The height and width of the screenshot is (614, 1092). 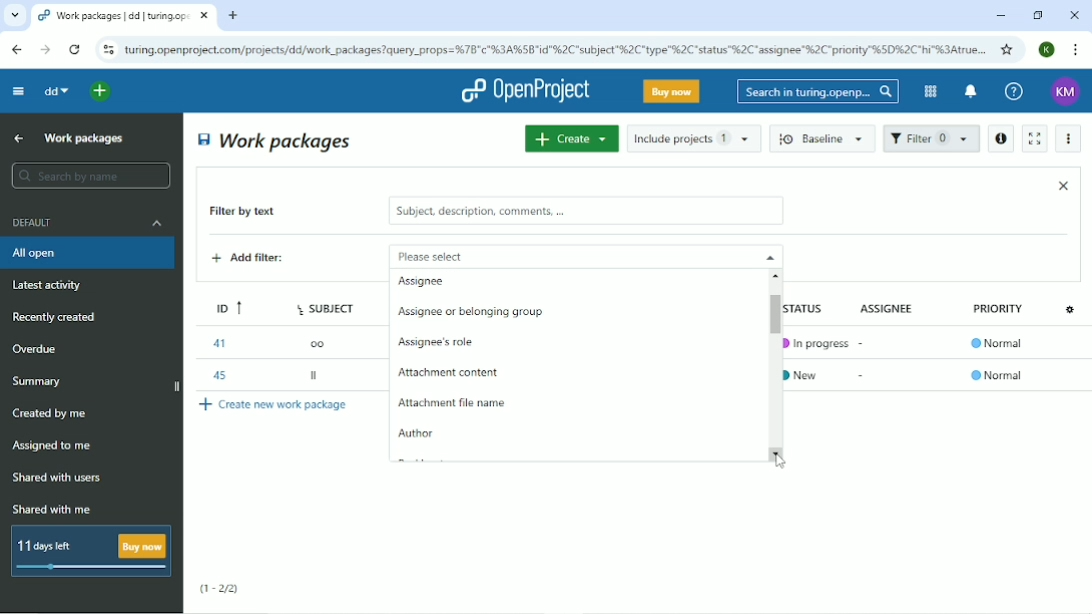 I want to click on Baseline, so click(x=824, y=138).